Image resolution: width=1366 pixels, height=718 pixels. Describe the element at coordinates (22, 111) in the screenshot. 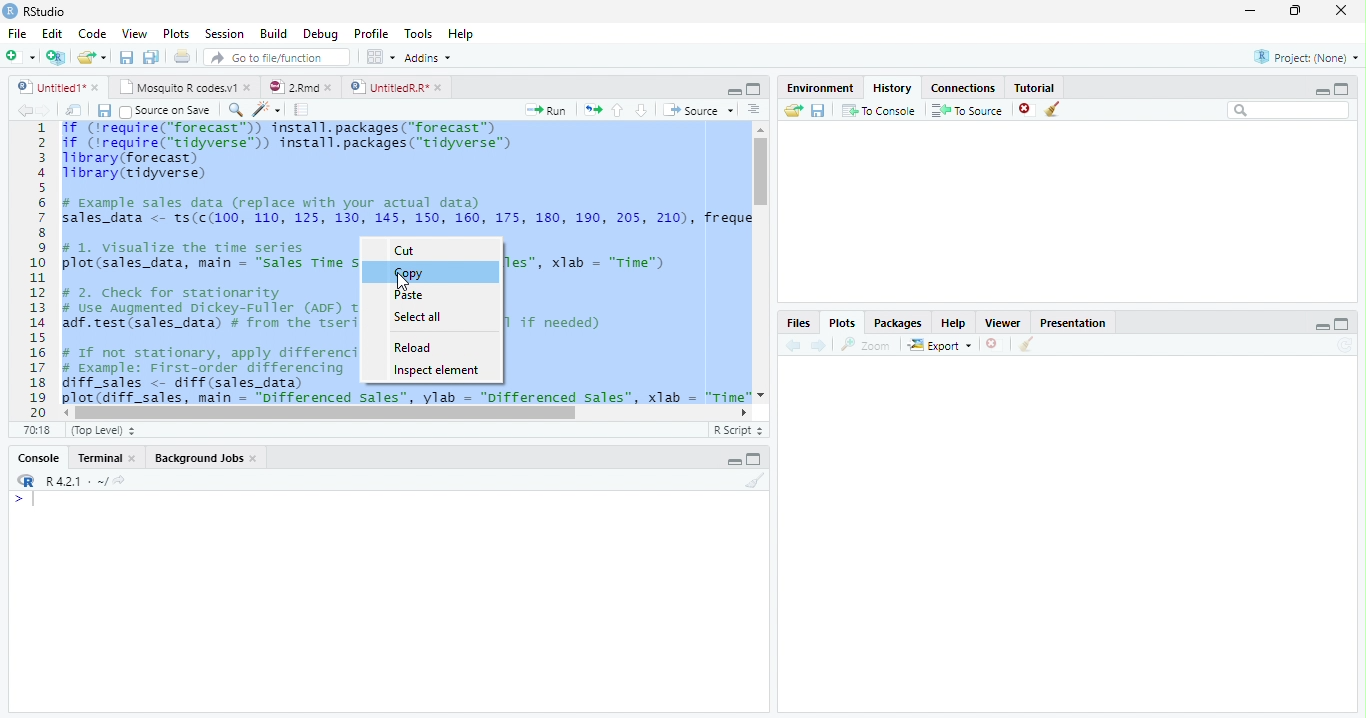

I see `Previous` at that location.